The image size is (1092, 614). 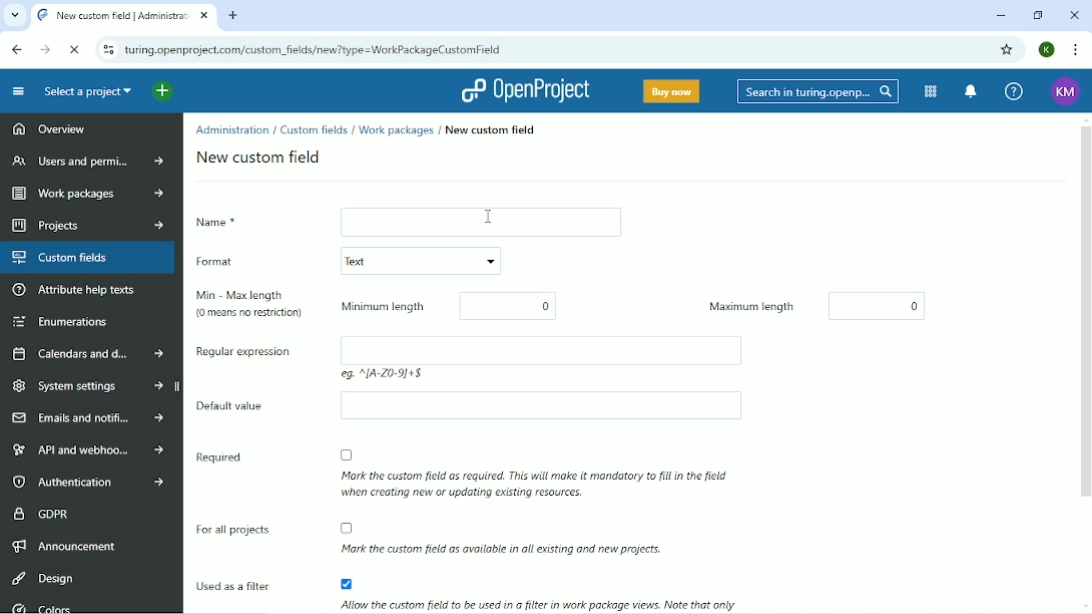 I want to click on View site information, so click(x=107, y=50).